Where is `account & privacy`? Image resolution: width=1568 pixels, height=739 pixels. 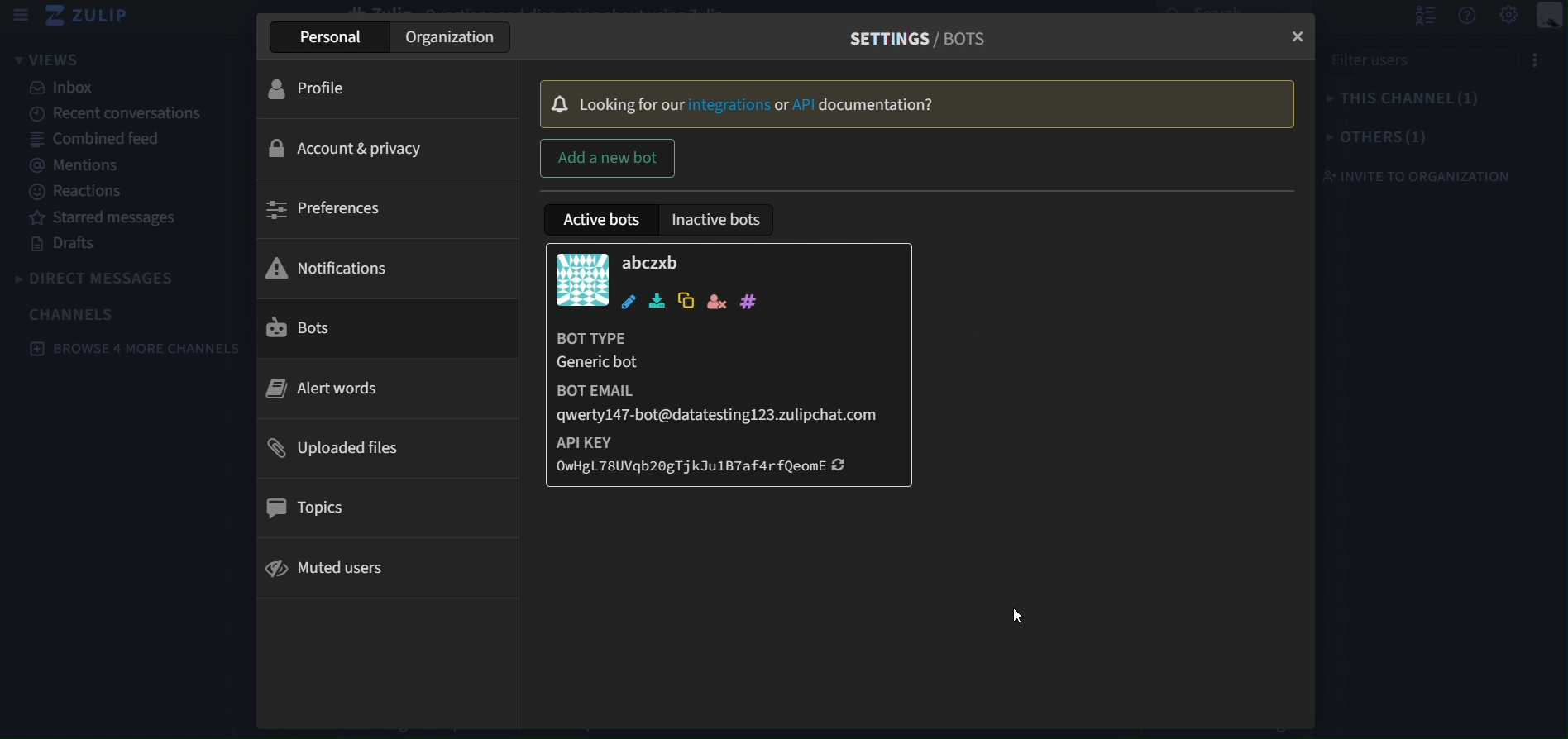 account & privacy is located at coordinates (349, 150).